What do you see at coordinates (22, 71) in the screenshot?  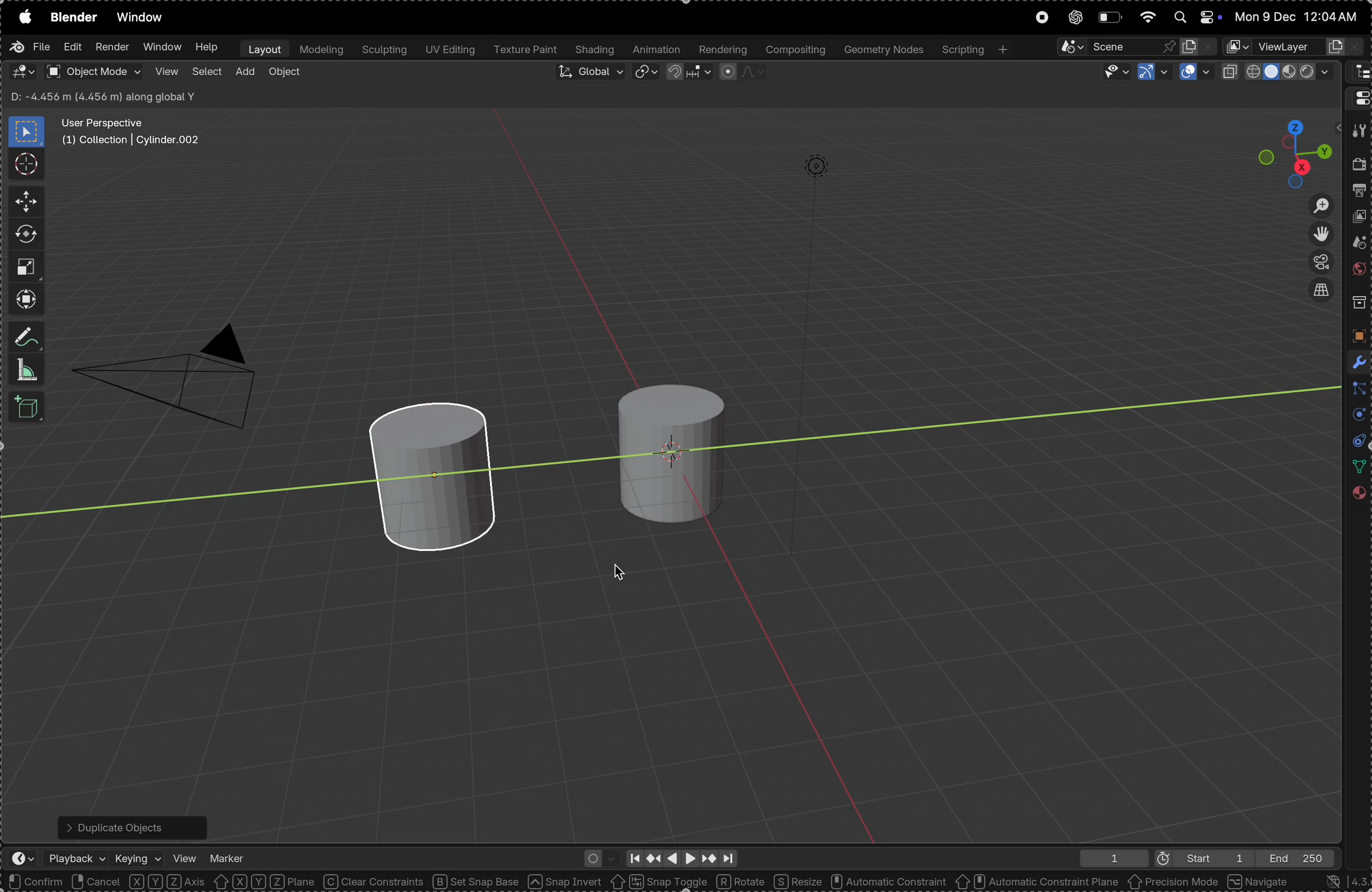 I see `editor type` at bounding box center [22, 71].